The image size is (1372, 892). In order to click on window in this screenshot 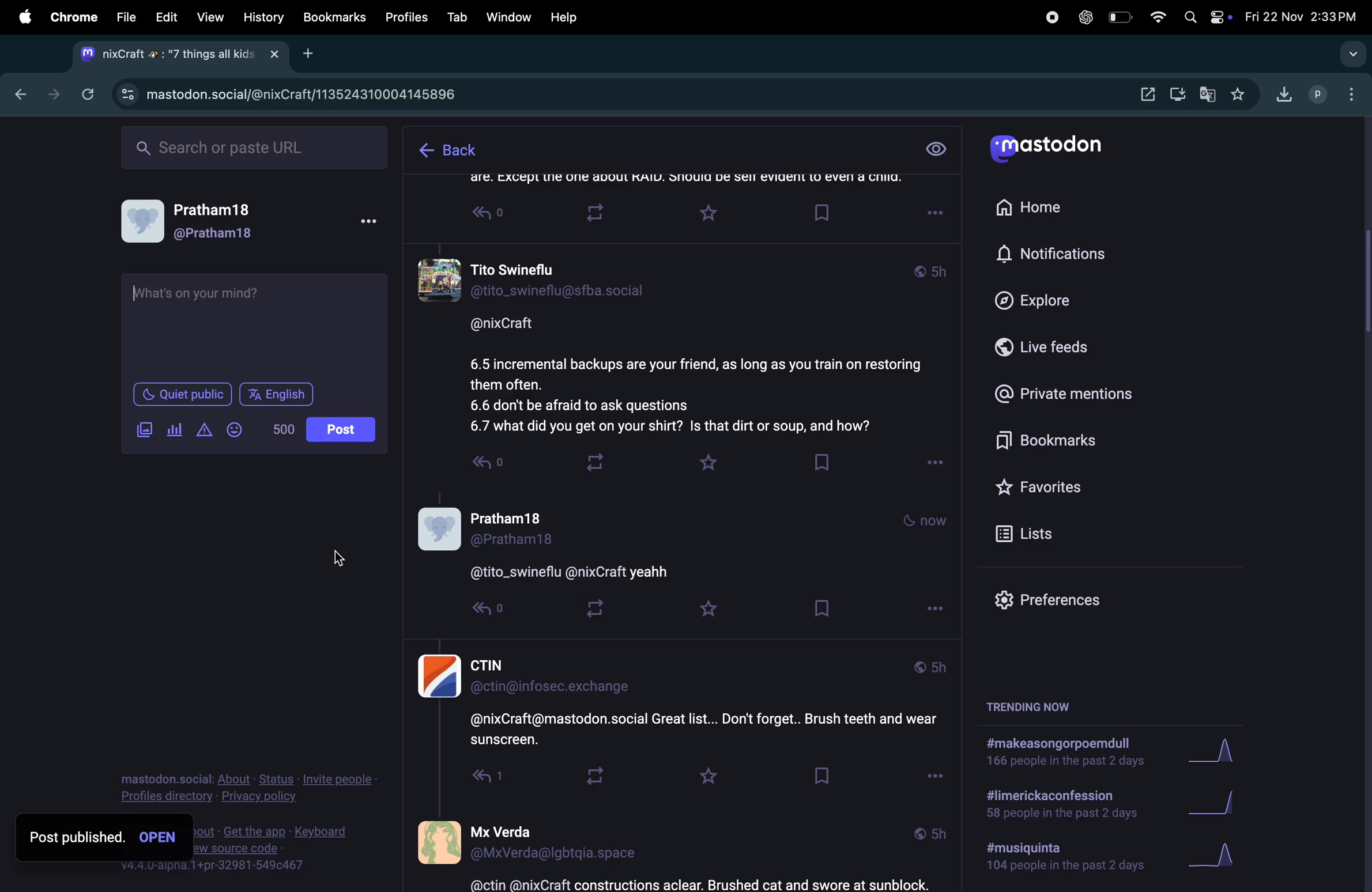, I will do `click(510, 14)`.